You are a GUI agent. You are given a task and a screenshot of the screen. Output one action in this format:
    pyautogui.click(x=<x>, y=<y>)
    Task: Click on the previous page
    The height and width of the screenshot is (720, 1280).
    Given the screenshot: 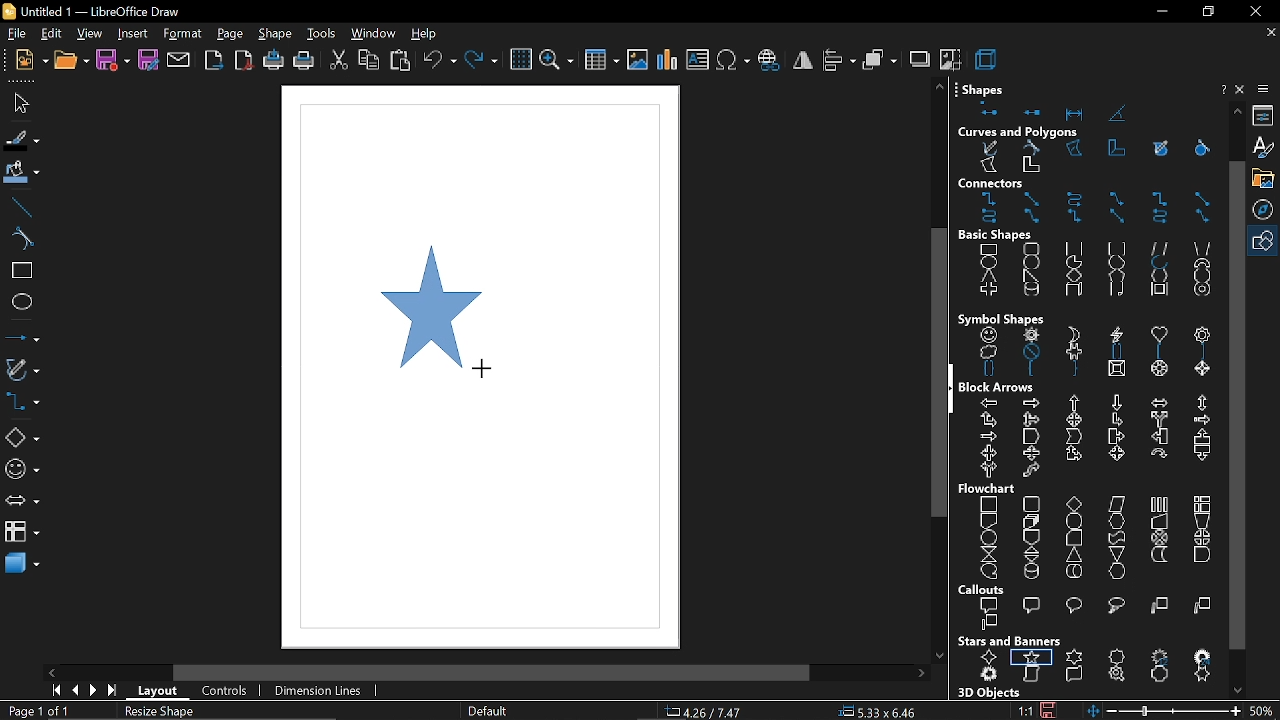 What is the action you would take?
    pyautogui.click(x=75, y=691)
    